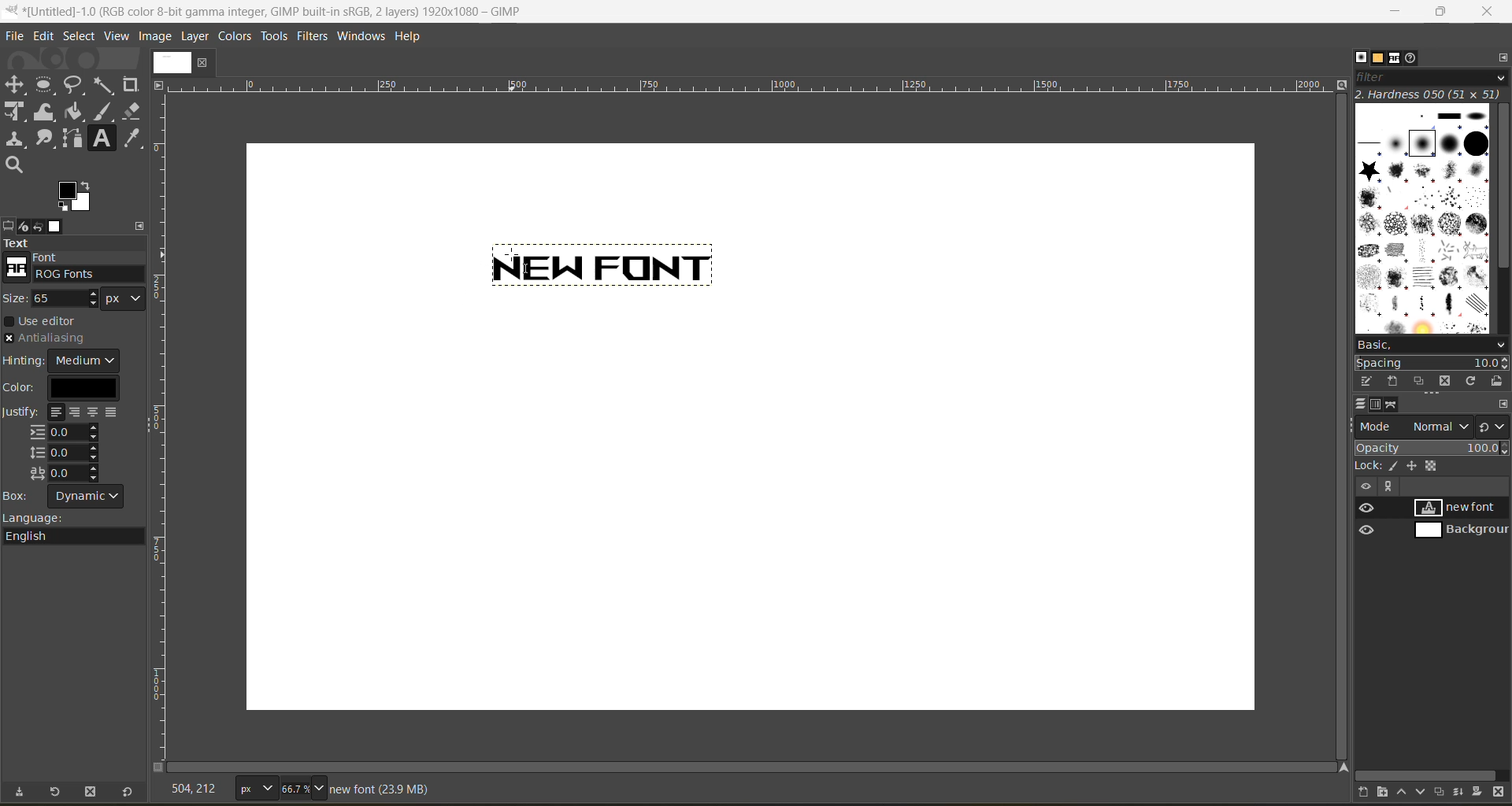  Describe the element at coordinates (75, 126) in the screenshot. I see `tools` at that location.